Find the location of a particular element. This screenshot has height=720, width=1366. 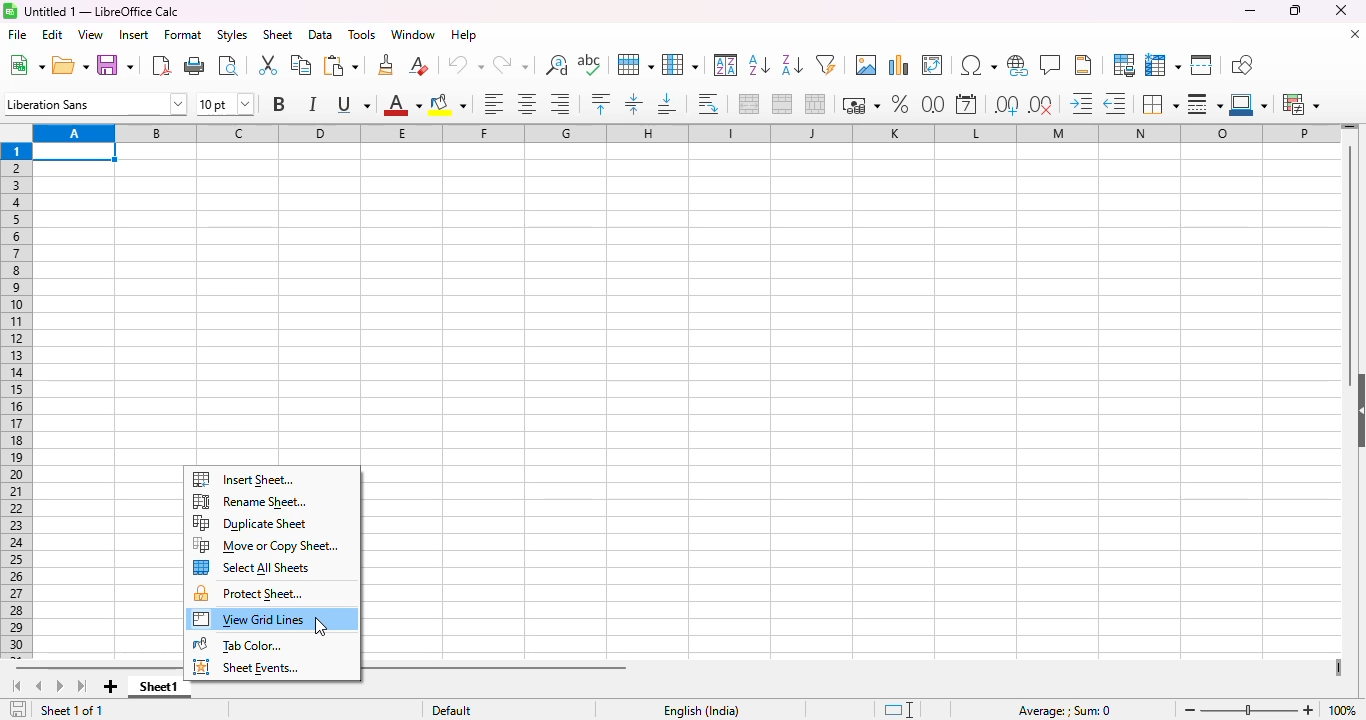

title is located at coordinates (102, 11).